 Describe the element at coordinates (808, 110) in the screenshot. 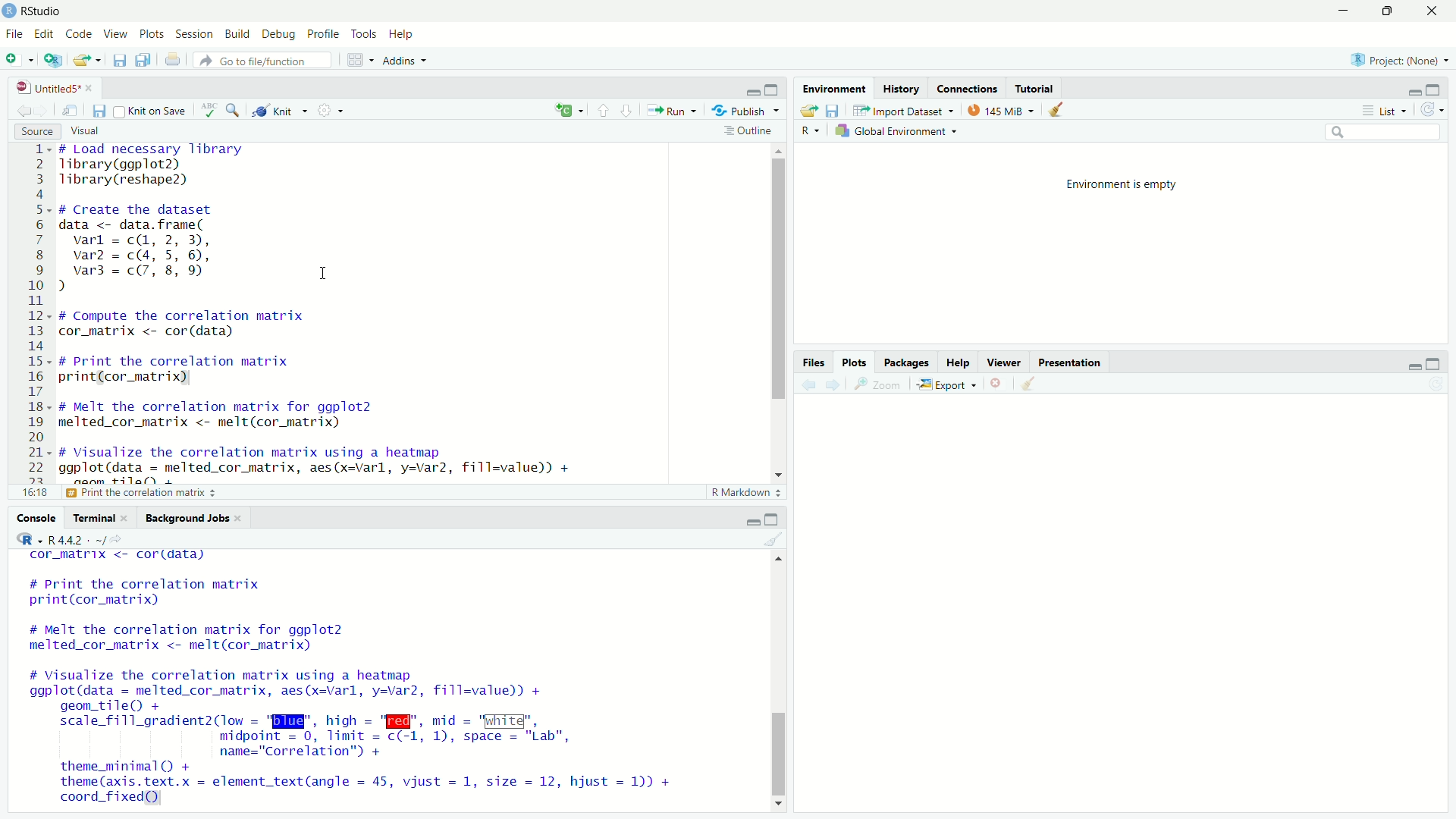

I see `load workspace` at that location.